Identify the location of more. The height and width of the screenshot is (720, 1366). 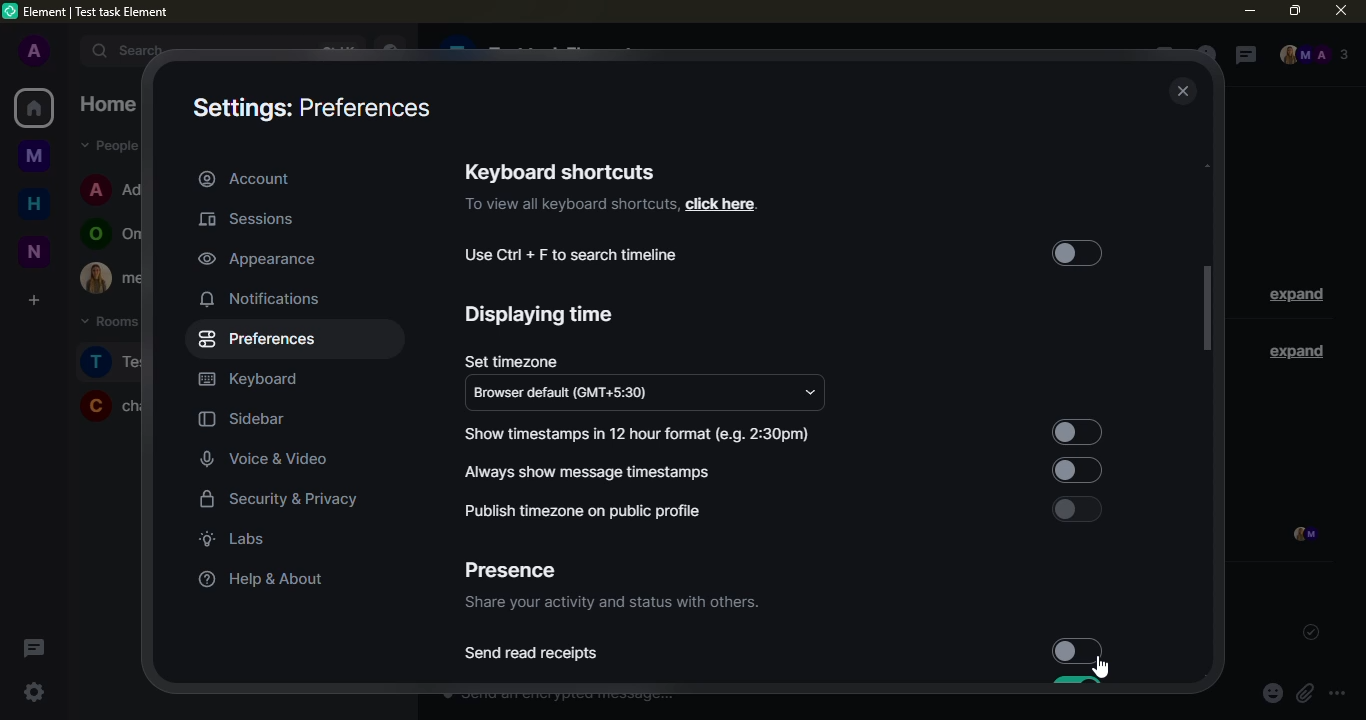
(1337, 694).